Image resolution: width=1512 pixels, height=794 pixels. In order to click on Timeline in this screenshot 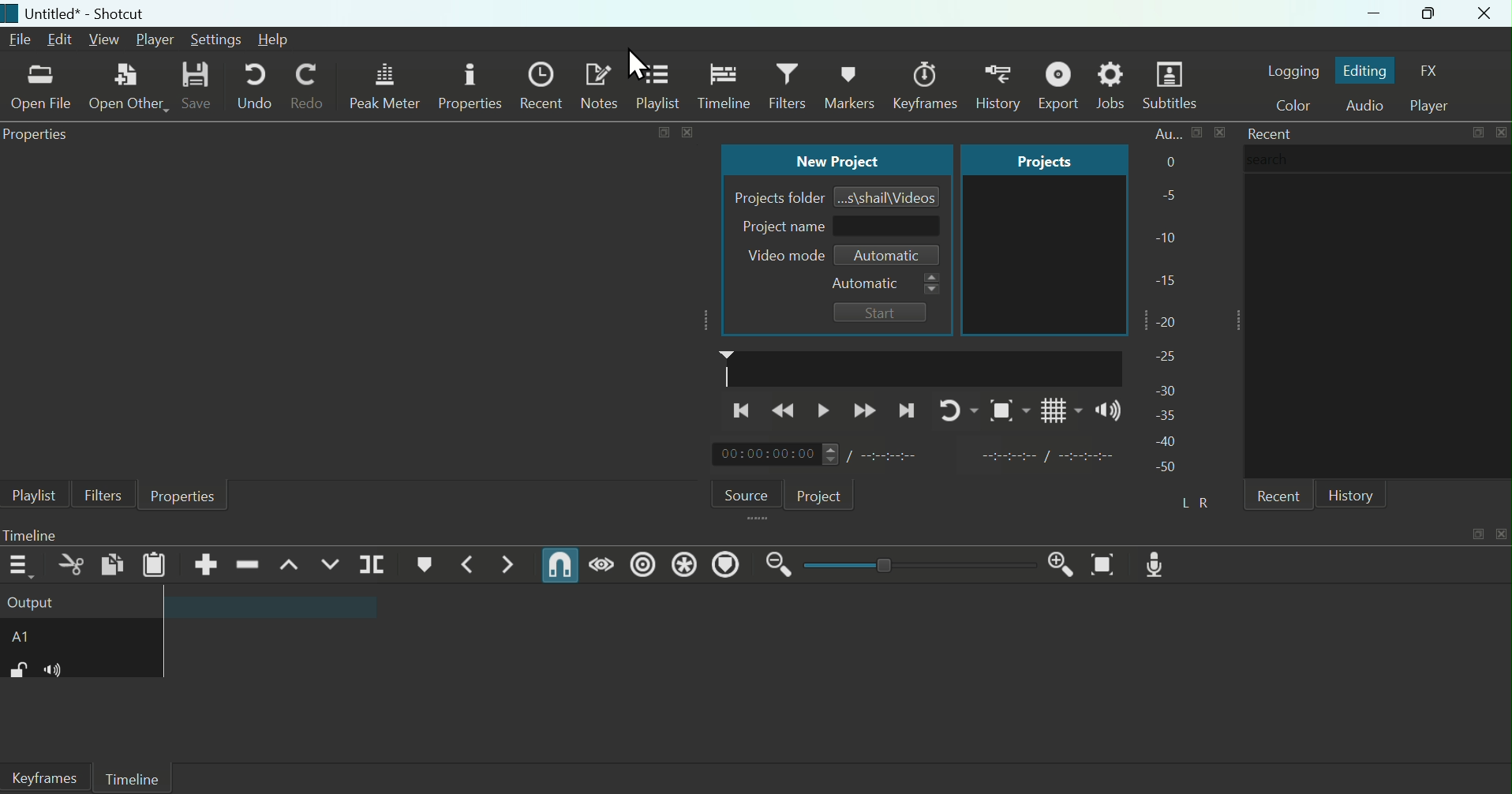, I will do `click(51, 534)`.